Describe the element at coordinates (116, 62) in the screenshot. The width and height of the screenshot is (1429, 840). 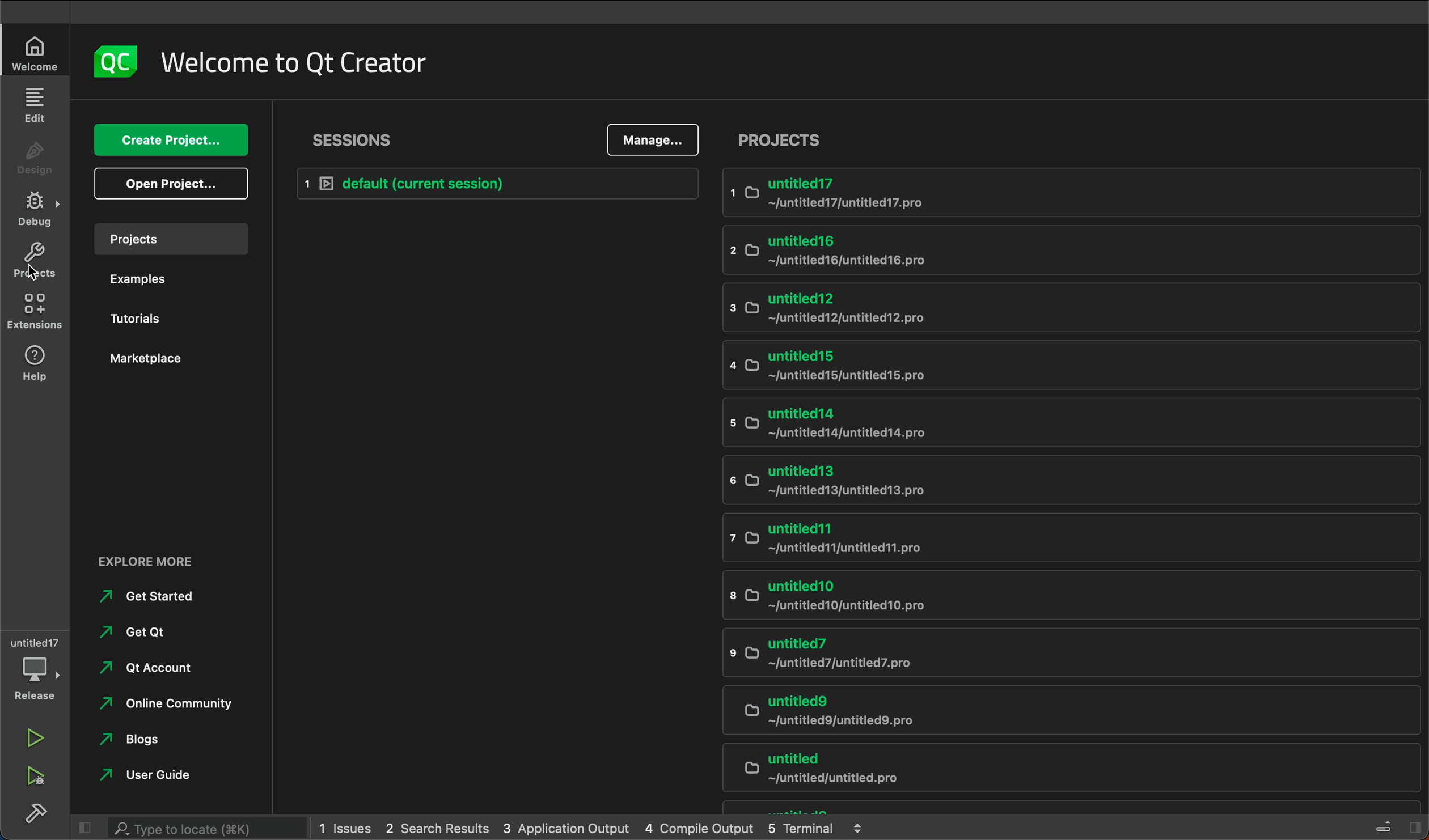
I see `logo` at that location.